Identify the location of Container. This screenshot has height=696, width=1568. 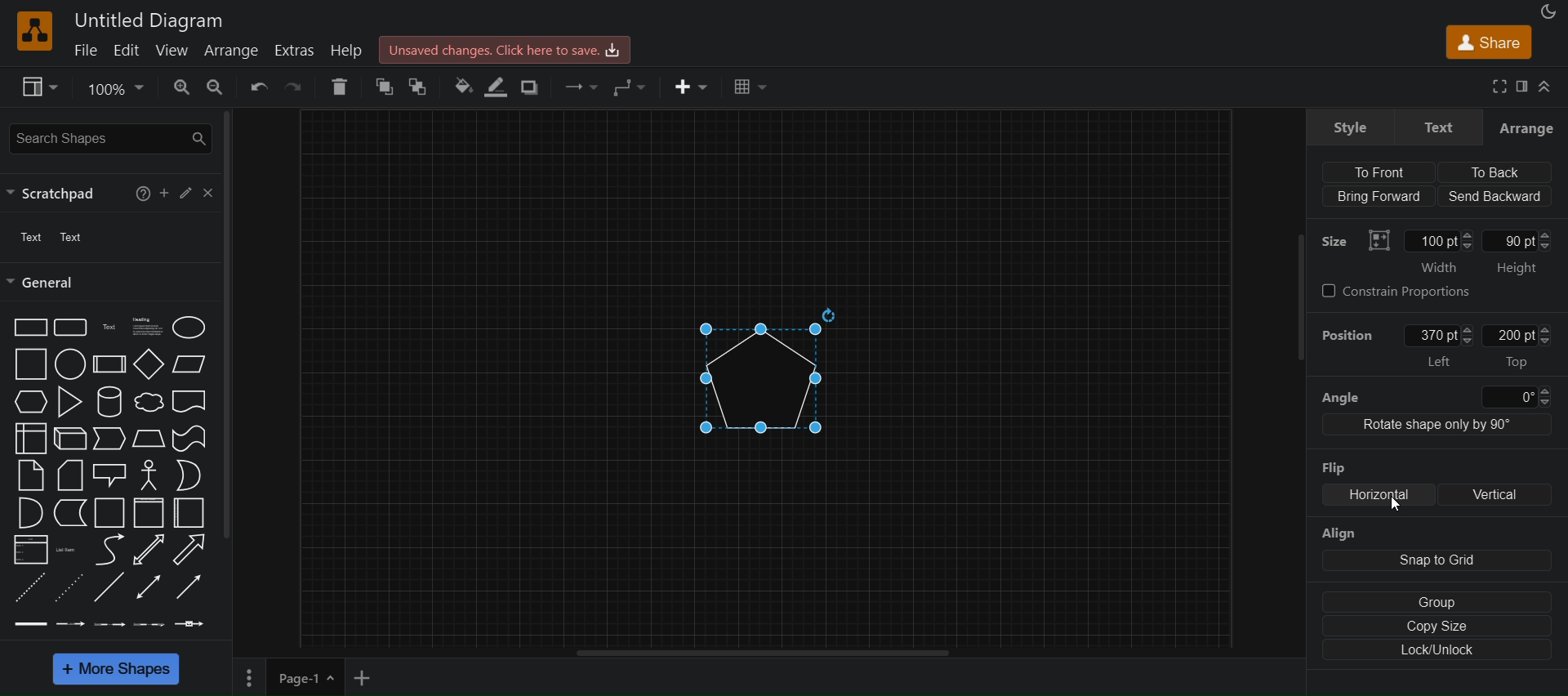
(149, 513).